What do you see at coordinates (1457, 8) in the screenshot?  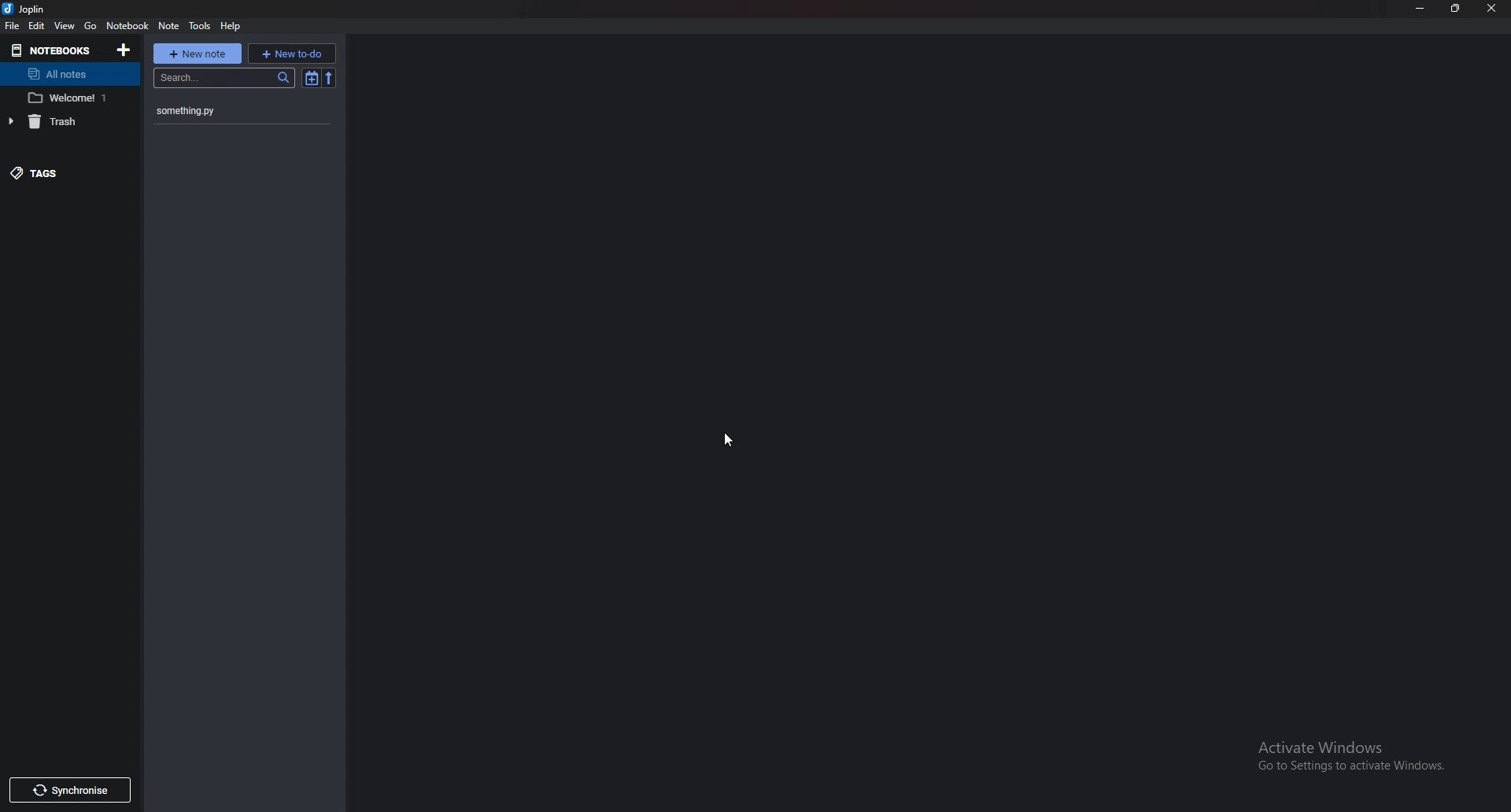 I see `Resize` at bounding box center [1457, 8].